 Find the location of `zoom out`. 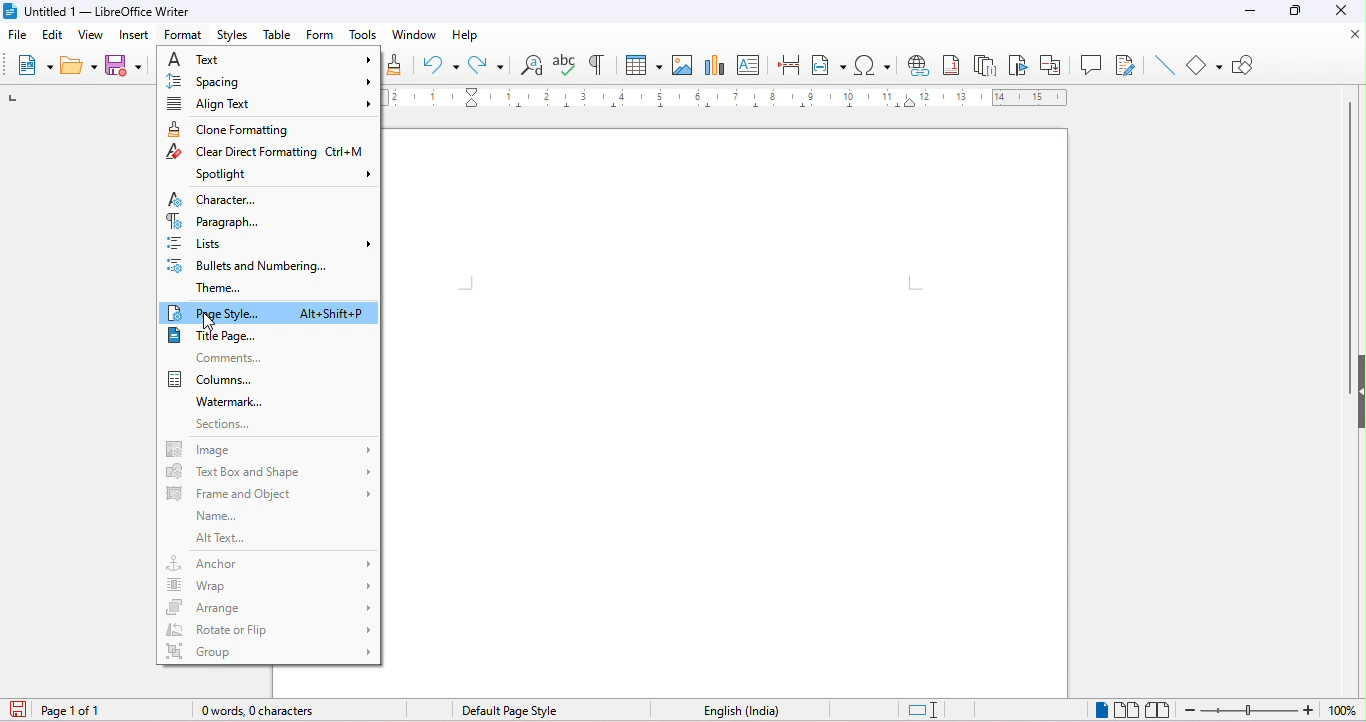

zoom out is located at coordinates (1251, 709).